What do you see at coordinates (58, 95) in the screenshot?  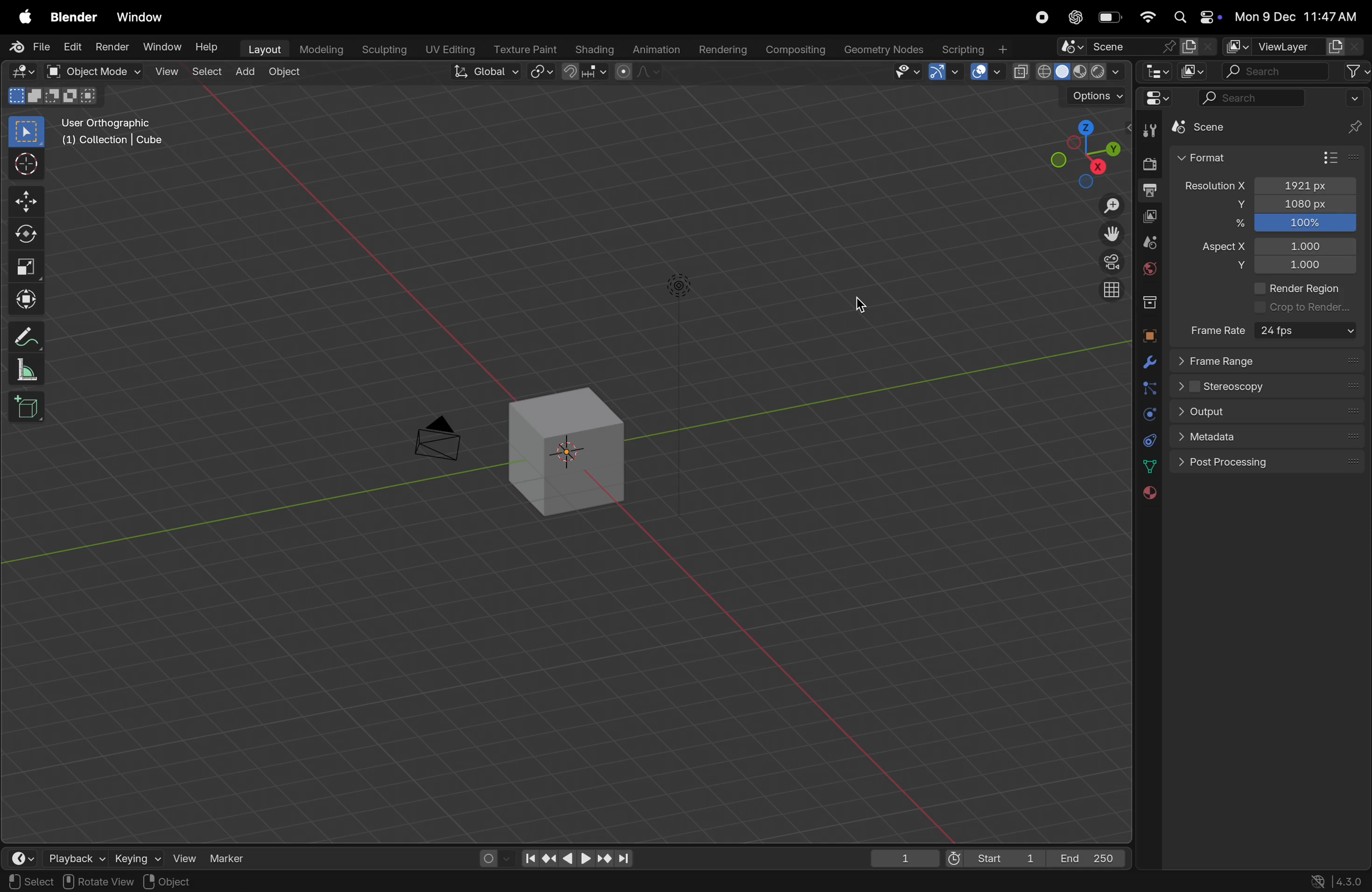 I see `modes` at bounding box center [58, 95].